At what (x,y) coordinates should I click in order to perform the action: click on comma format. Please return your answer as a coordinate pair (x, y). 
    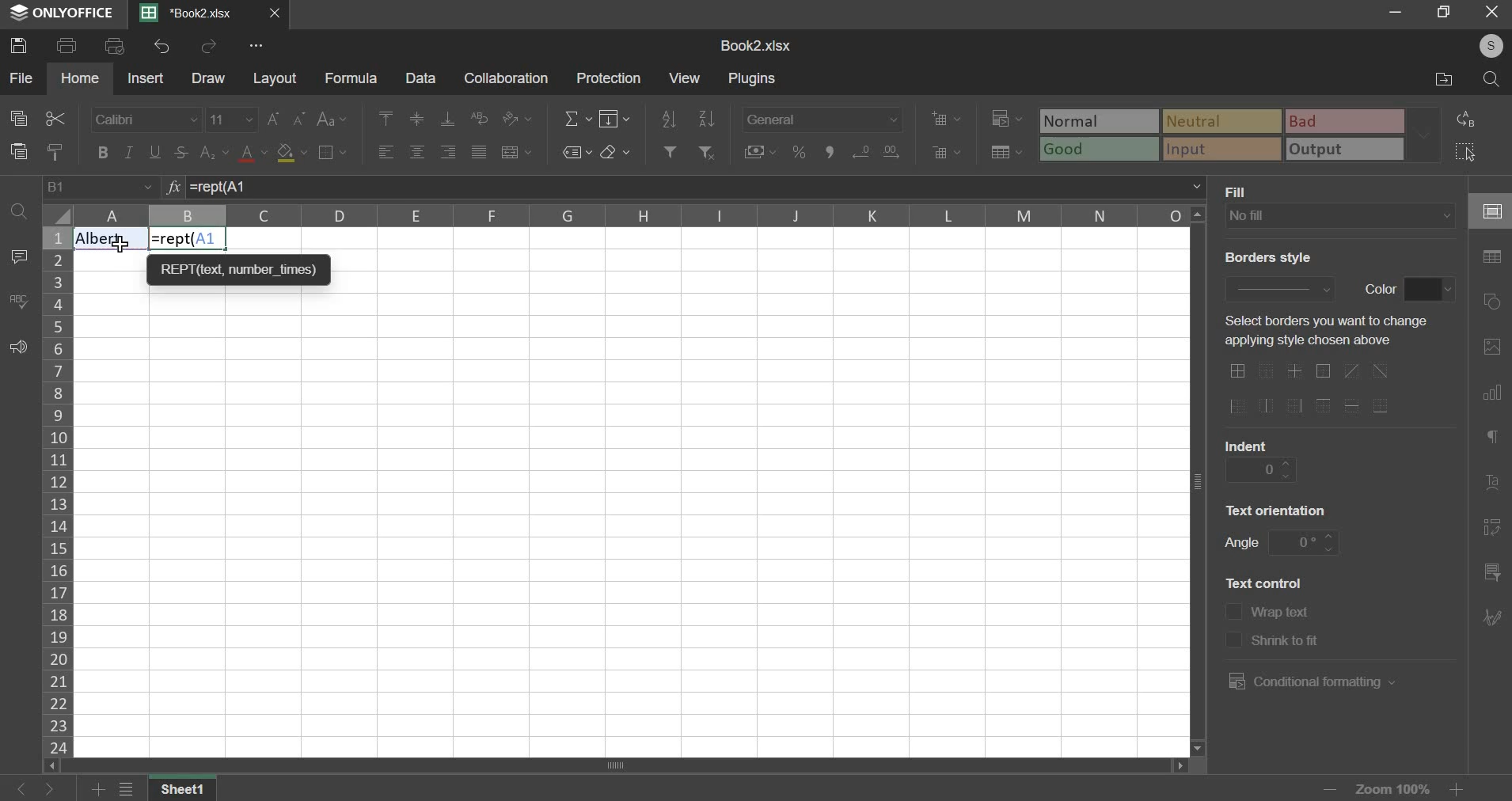
    Looking at the image, I should click on (829, 150).